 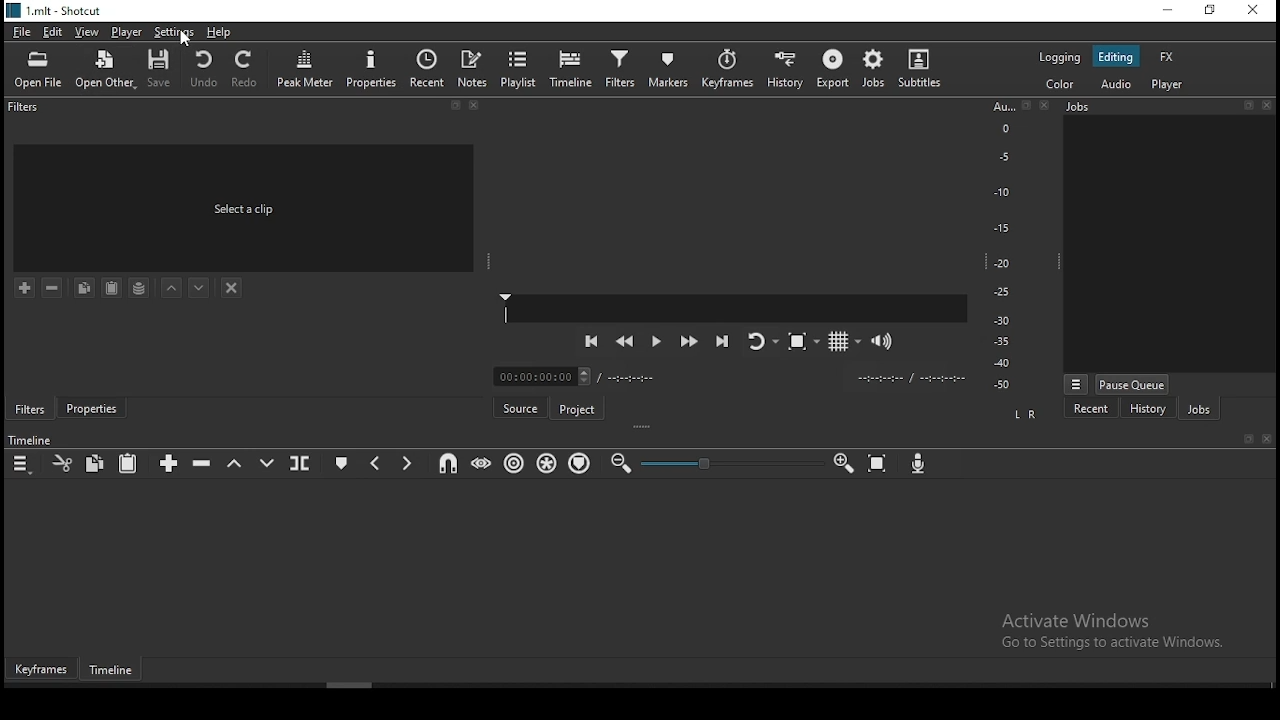 I want to click on timeline menu, so click(x=22, y=462).